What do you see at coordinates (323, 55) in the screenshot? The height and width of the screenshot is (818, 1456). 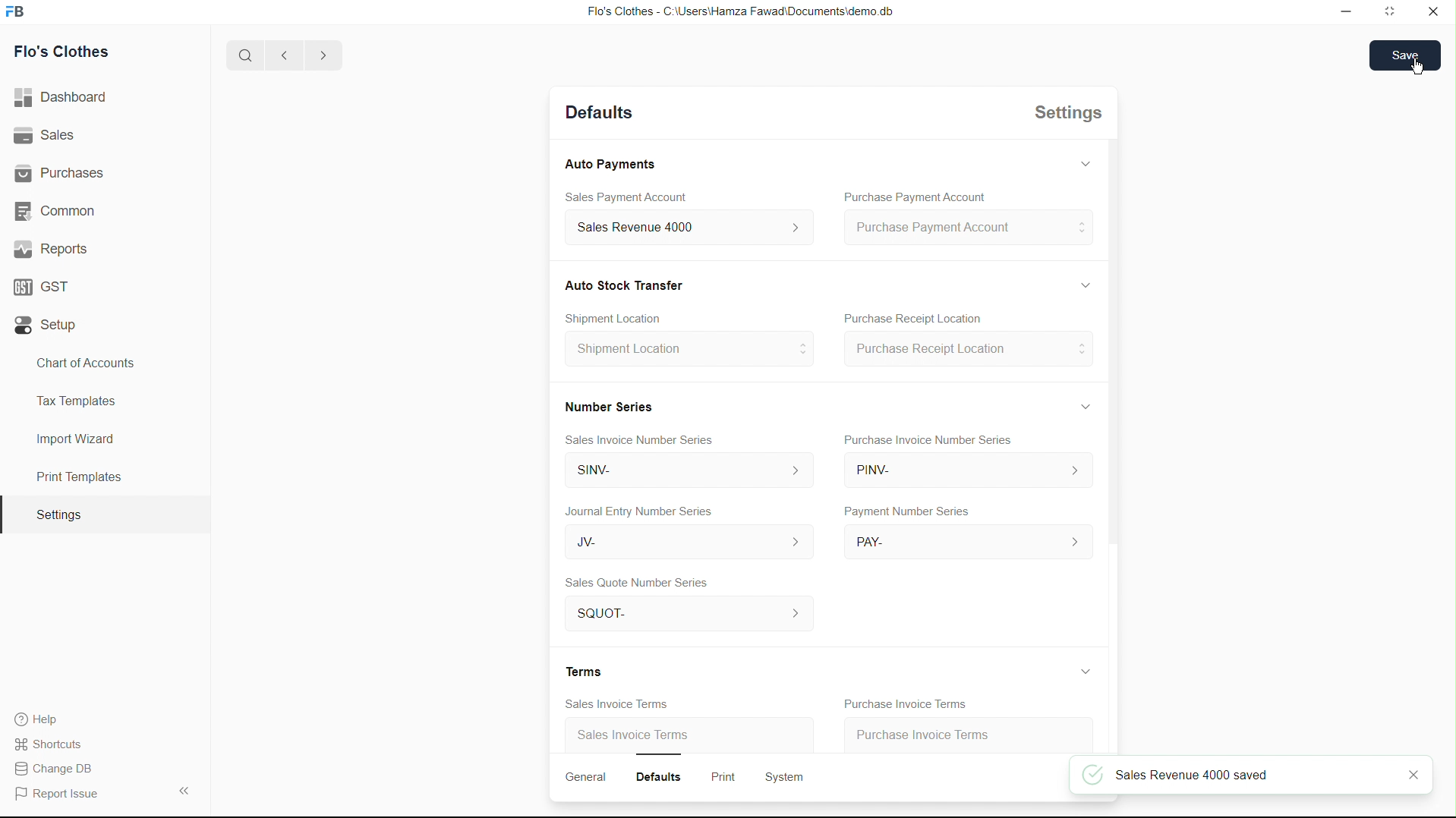 I see `Forward` at bounding box center [323, 55].